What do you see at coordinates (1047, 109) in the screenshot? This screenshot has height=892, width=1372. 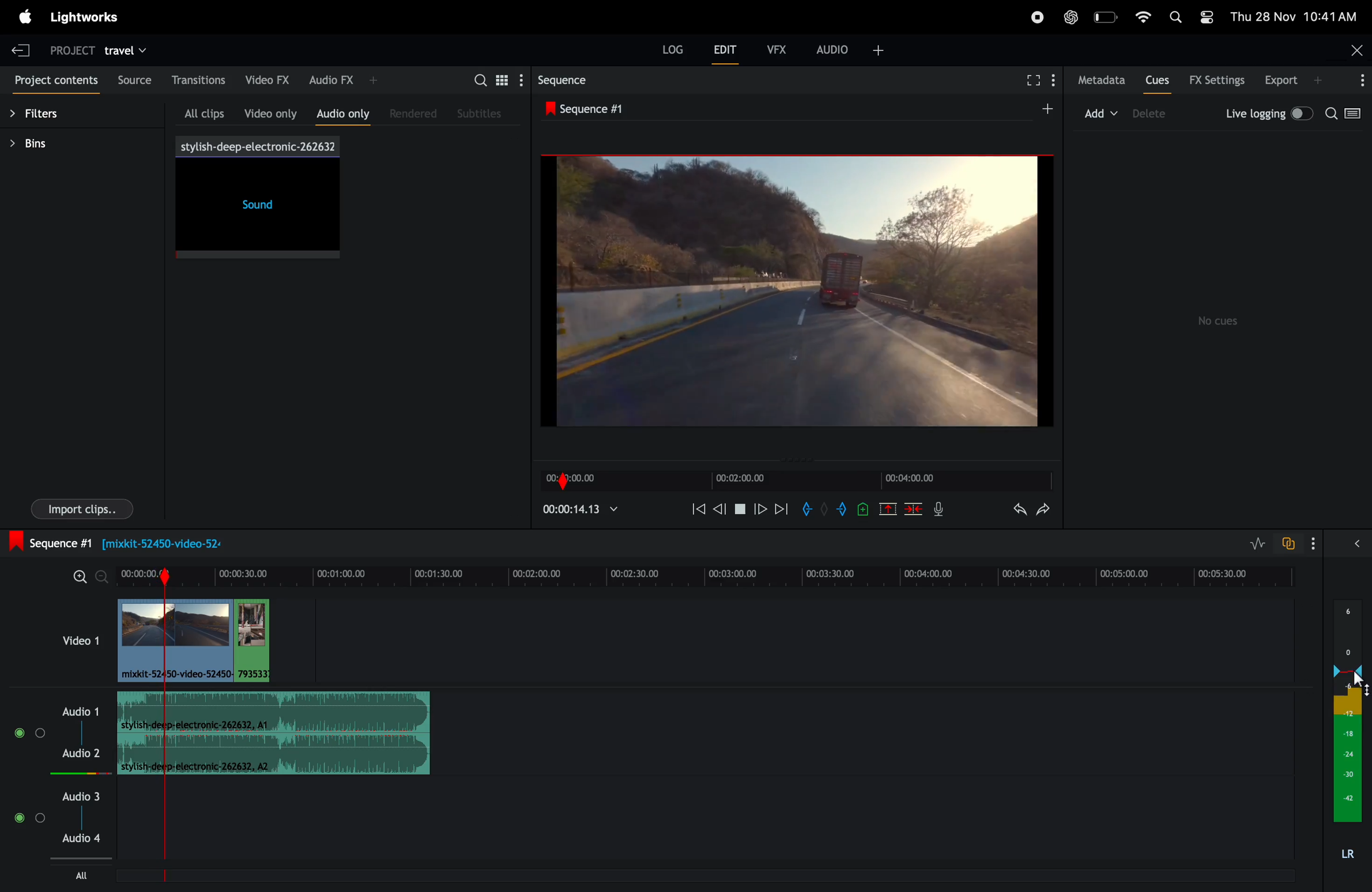 I see `add sequence` at bounding box center [1047, 109].